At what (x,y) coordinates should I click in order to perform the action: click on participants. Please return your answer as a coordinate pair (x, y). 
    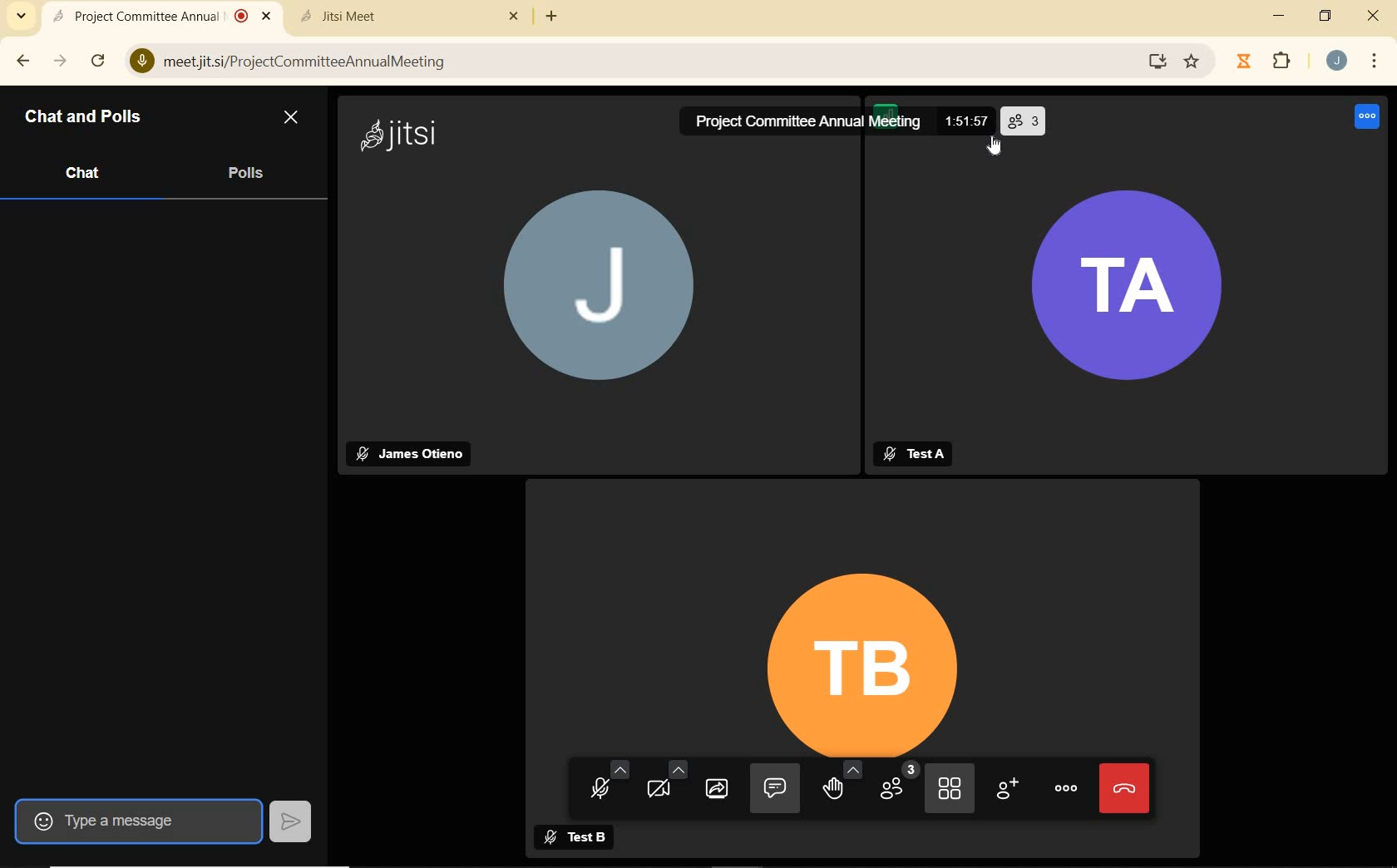
    Looking at the image, I should click on (899, 784).